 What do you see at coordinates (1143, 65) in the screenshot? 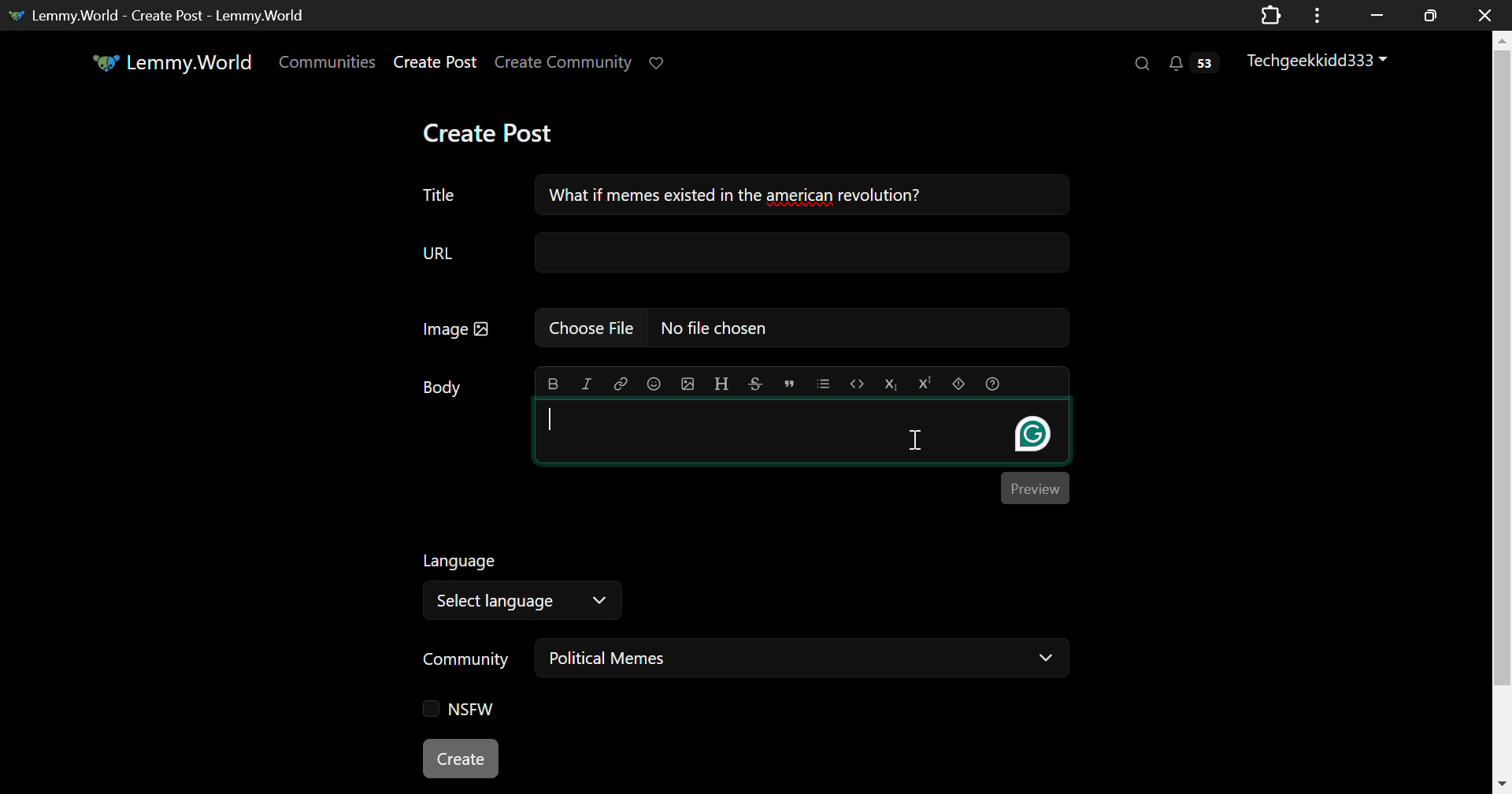
I see `Search` at bounding box center [1143, 65].